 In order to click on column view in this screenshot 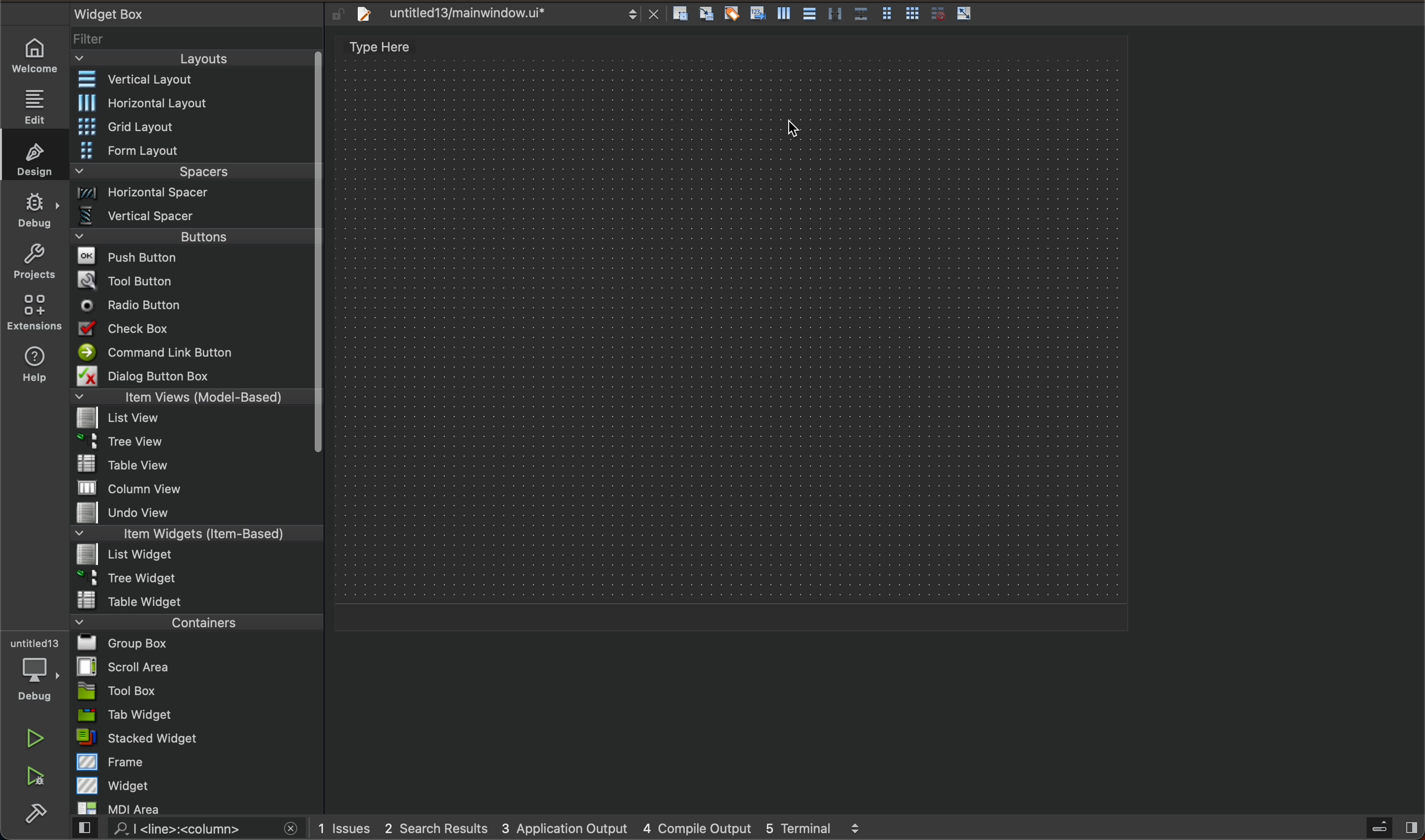, I will do `click(196, 487)`.